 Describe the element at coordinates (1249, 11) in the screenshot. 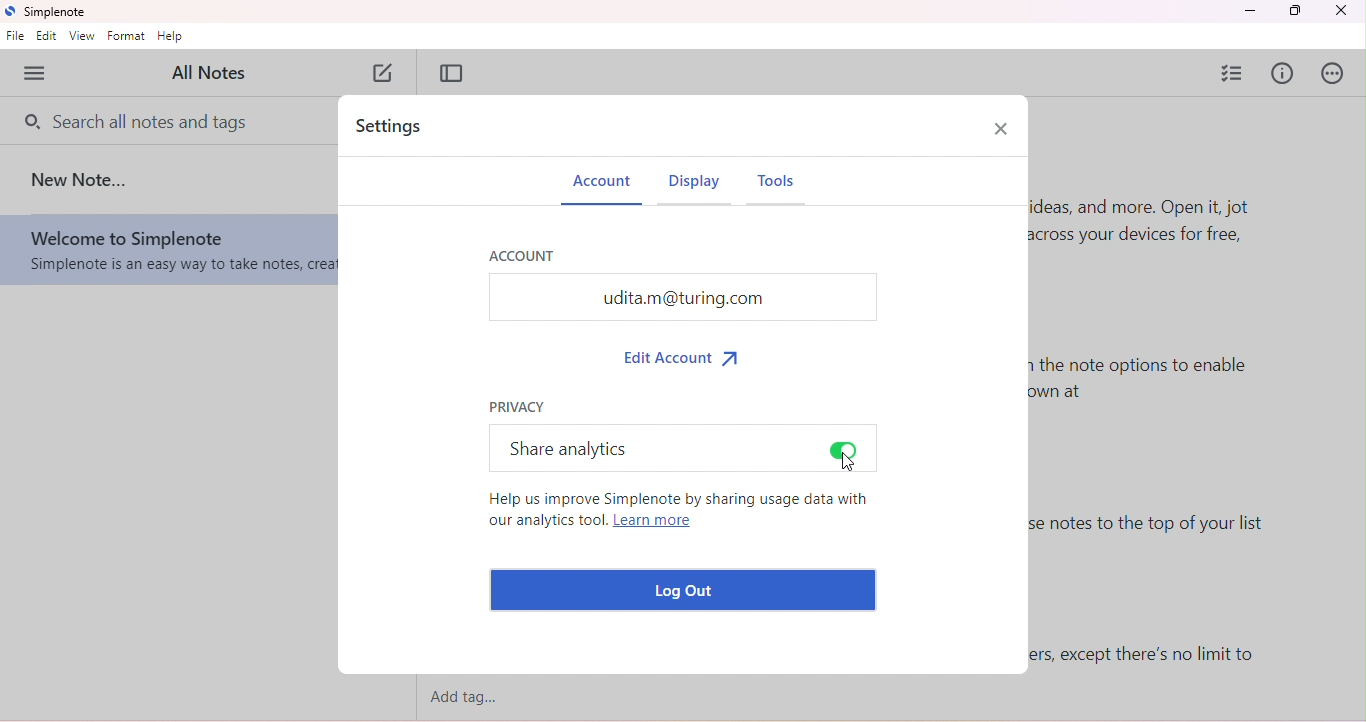

I see `minimize ` at that location.